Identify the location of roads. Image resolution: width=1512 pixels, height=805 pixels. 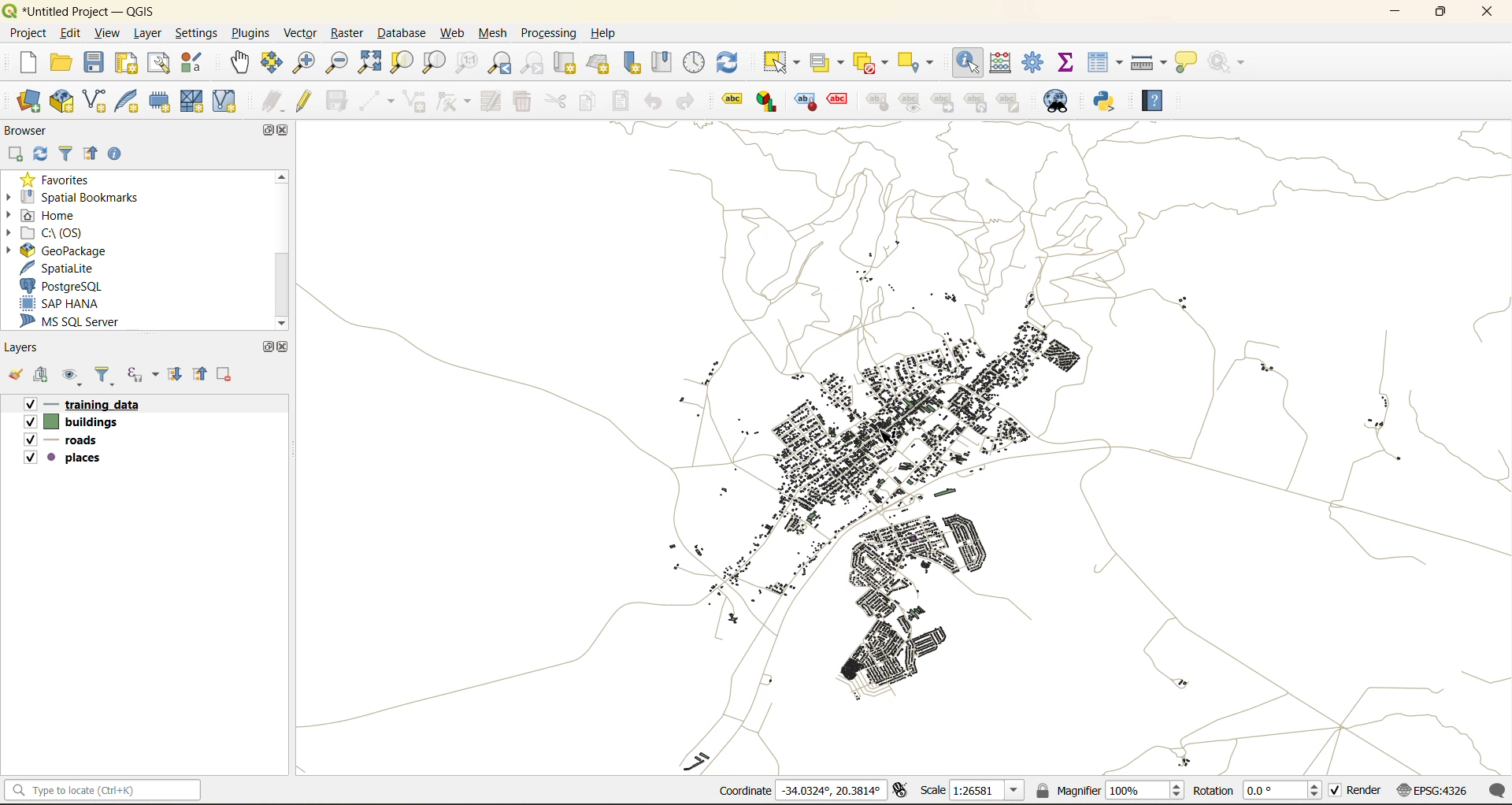
(64, 441).